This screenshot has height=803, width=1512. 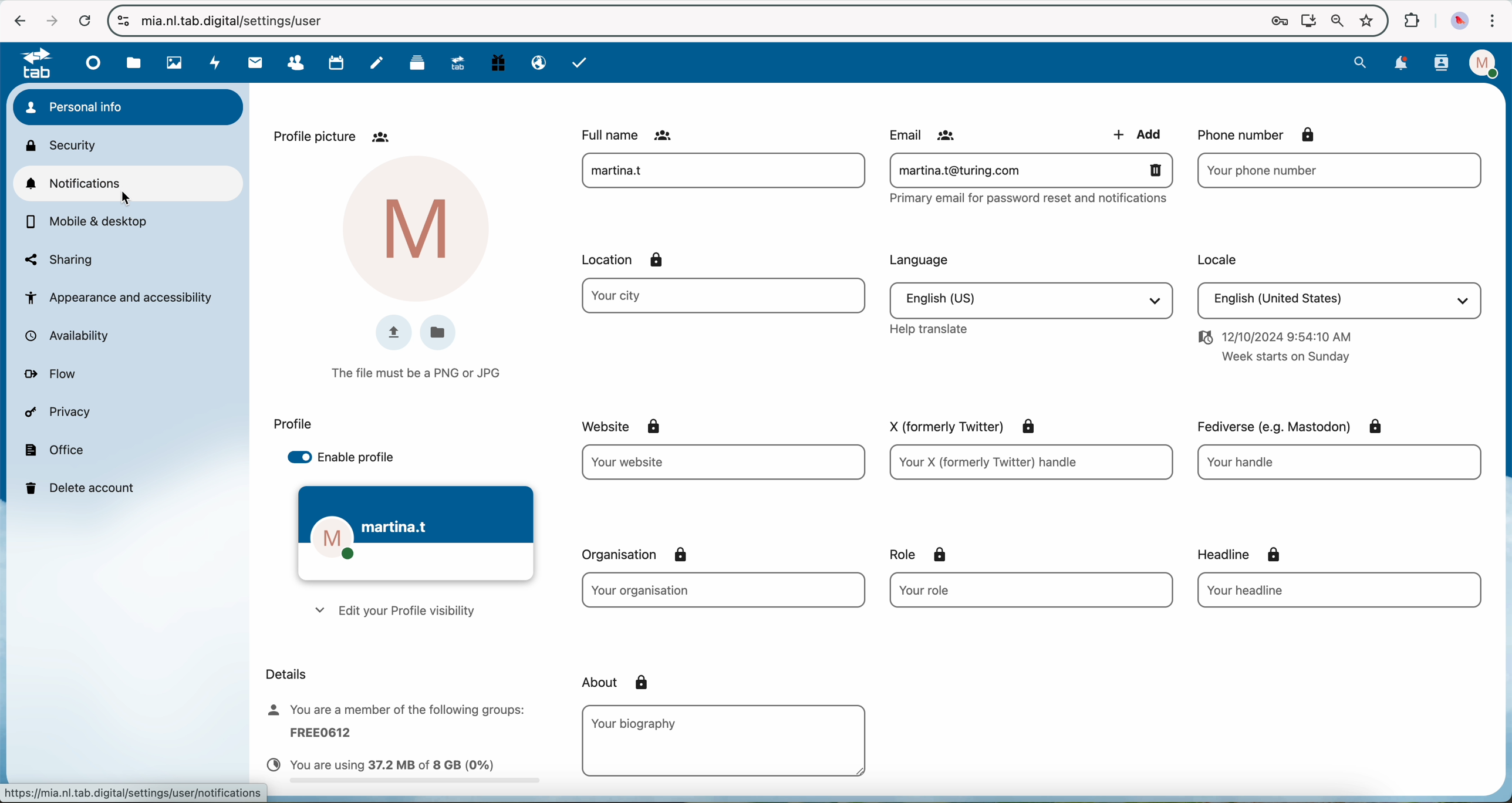 I want to click on profile, so click(x=1480, y=63).